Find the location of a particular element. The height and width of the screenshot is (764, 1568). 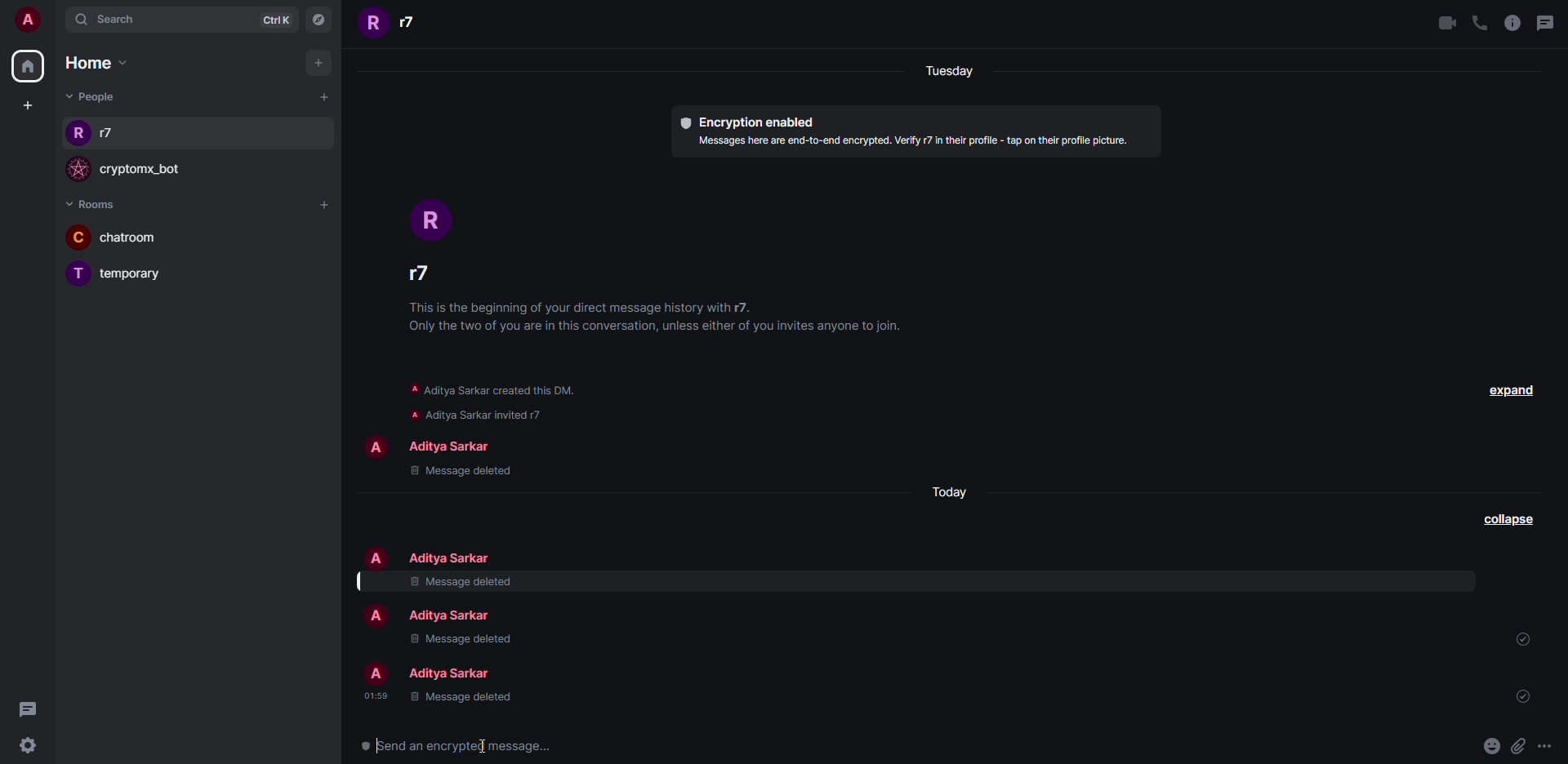

attach is located at coordinates (1517, 745).